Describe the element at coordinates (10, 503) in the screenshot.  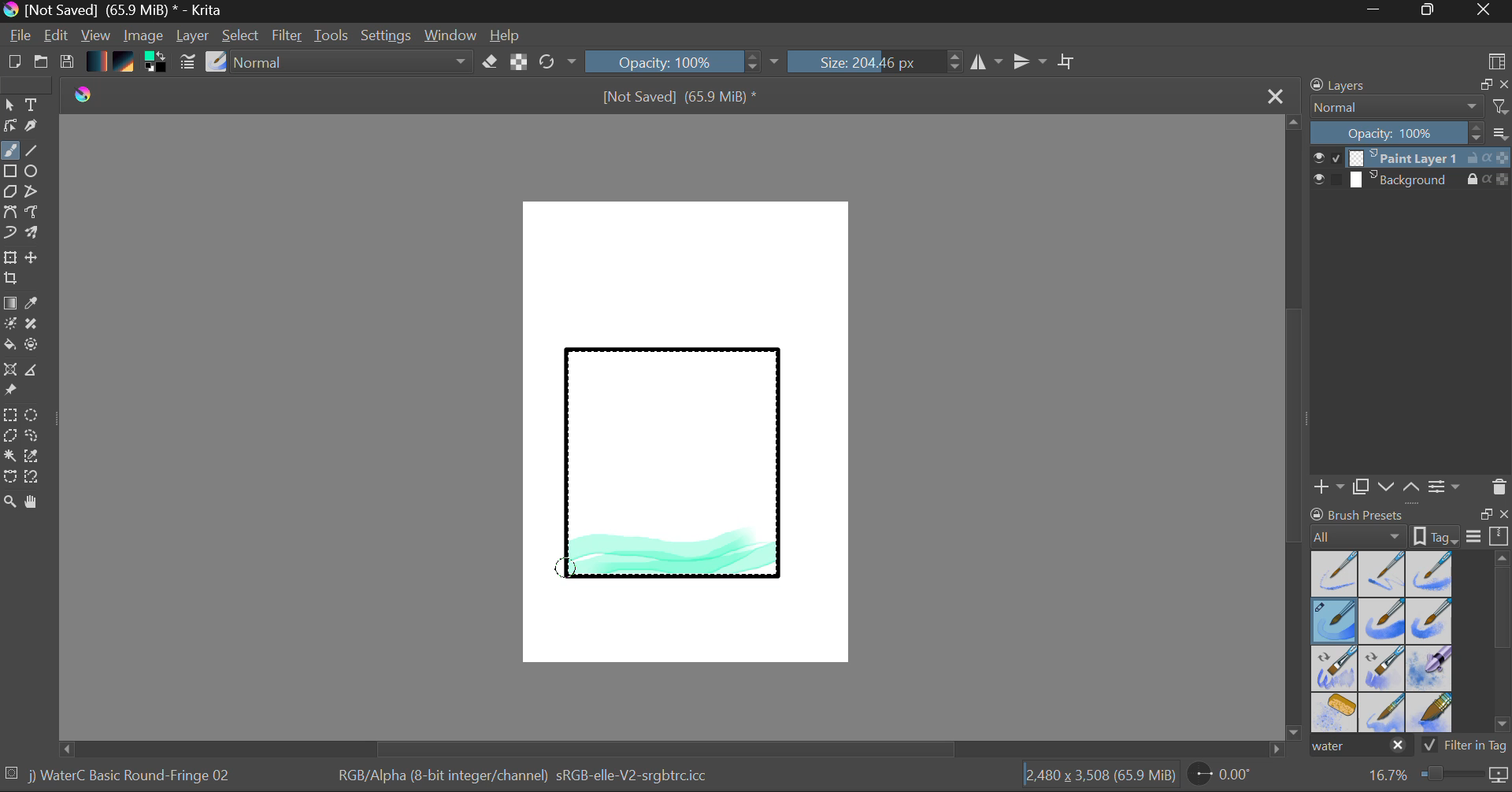
I see `Zoom` at that location.